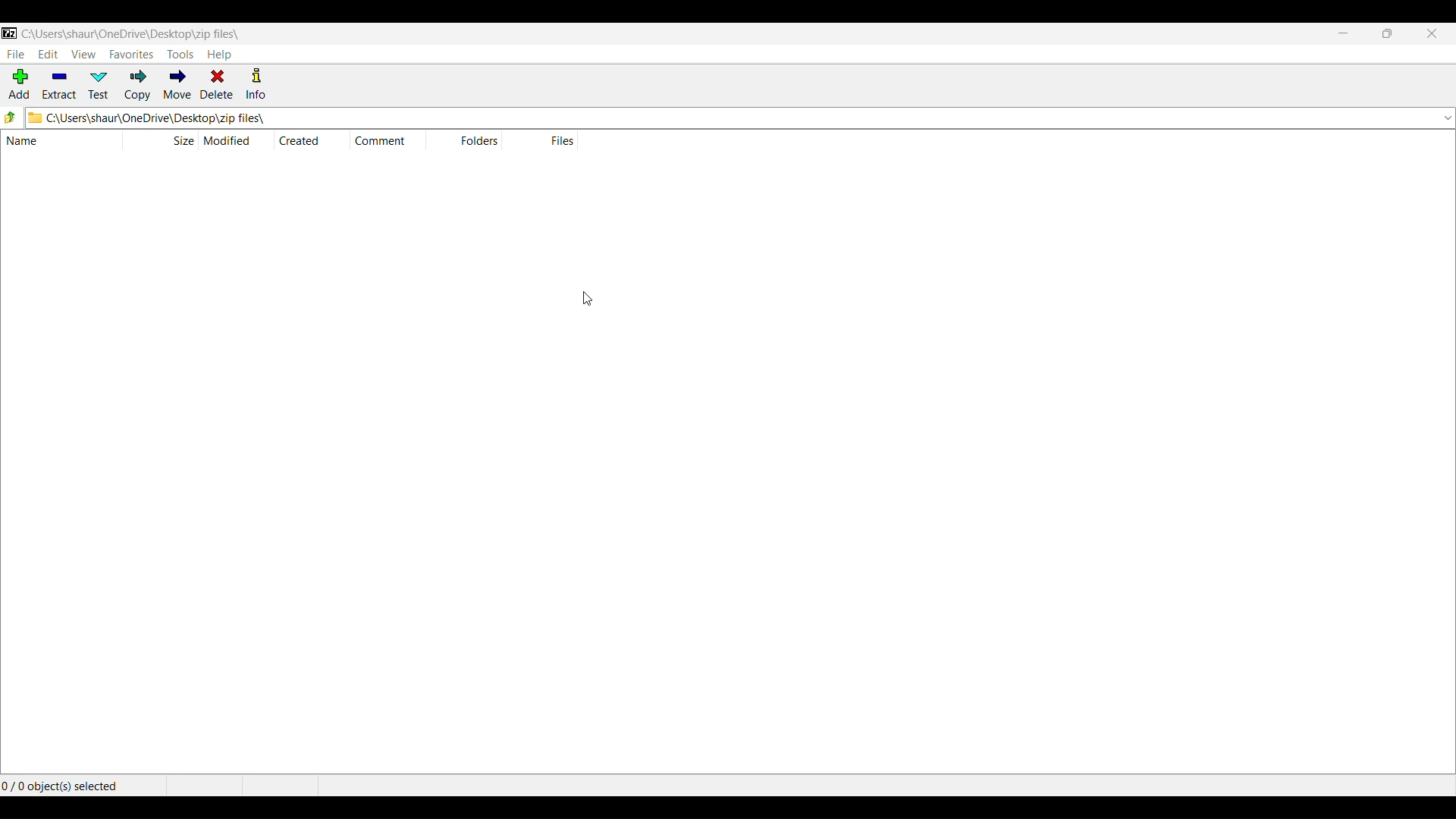 Image resolution: width=1456 pixels, height=819 pixels. Describe the element at coordinates (476, 142) in the screenshot. I see `FOLDERS` at that location.